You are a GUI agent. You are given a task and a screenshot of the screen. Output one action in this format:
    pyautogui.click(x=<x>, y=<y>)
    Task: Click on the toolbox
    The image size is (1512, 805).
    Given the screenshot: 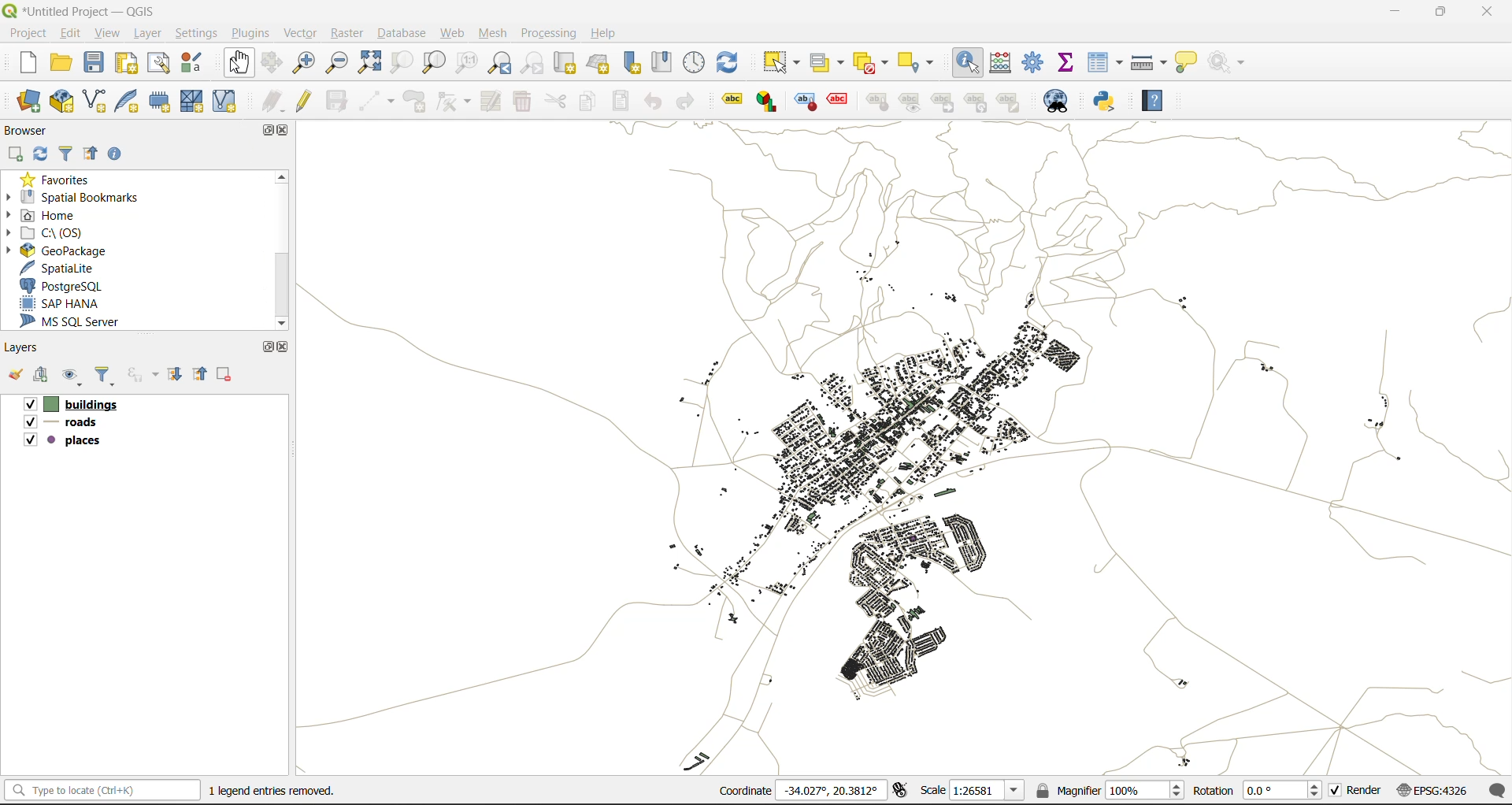 What is the action you would take?
    pyautogui.click(x=1035, y=62)
    